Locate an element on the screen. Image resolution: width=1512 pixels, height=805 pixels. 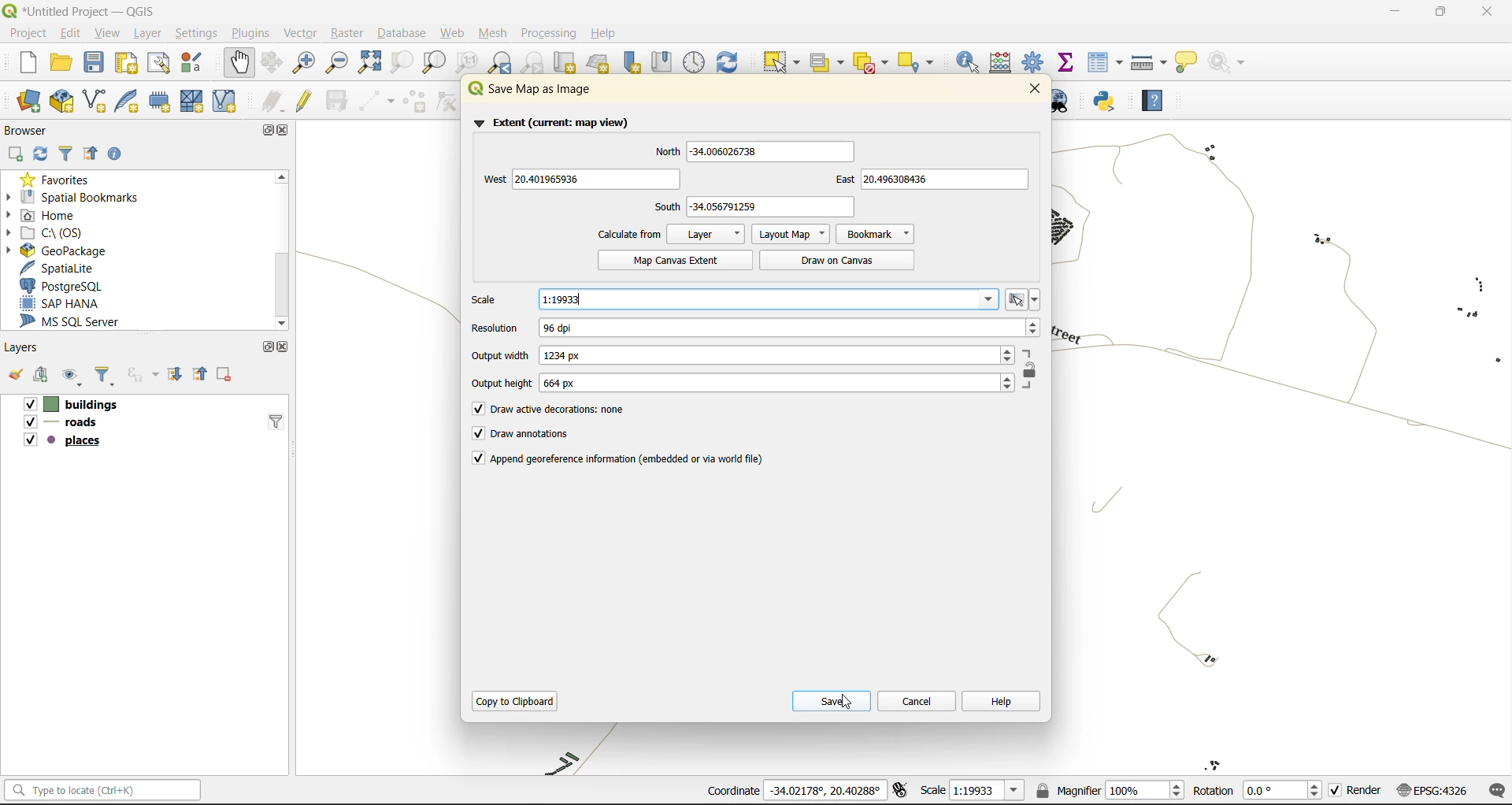
close is located at coordinates (280, 347).